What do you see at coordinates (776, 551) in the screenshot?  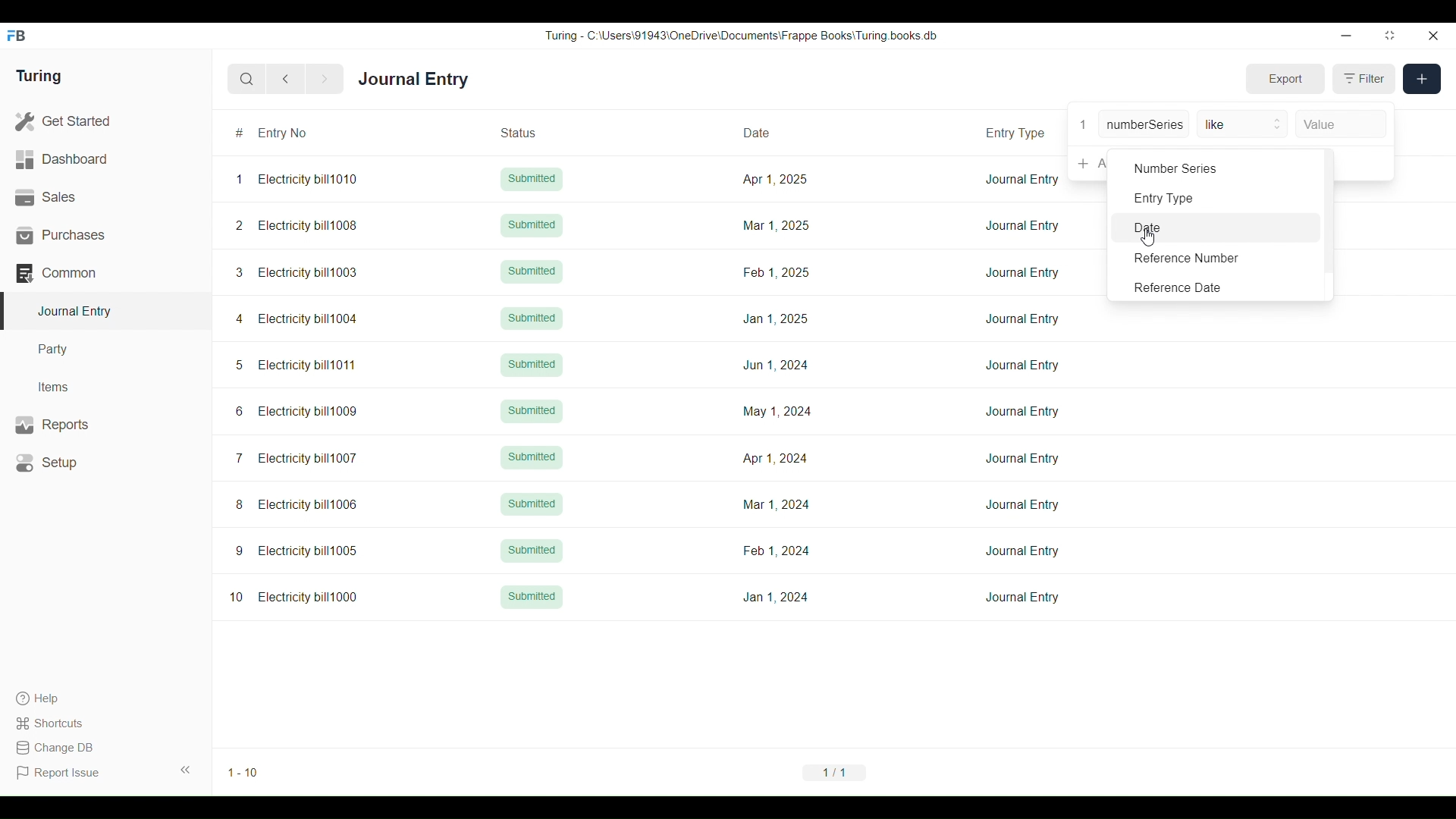 I see `Feb 1,2024` at bounding box center [776, 551].